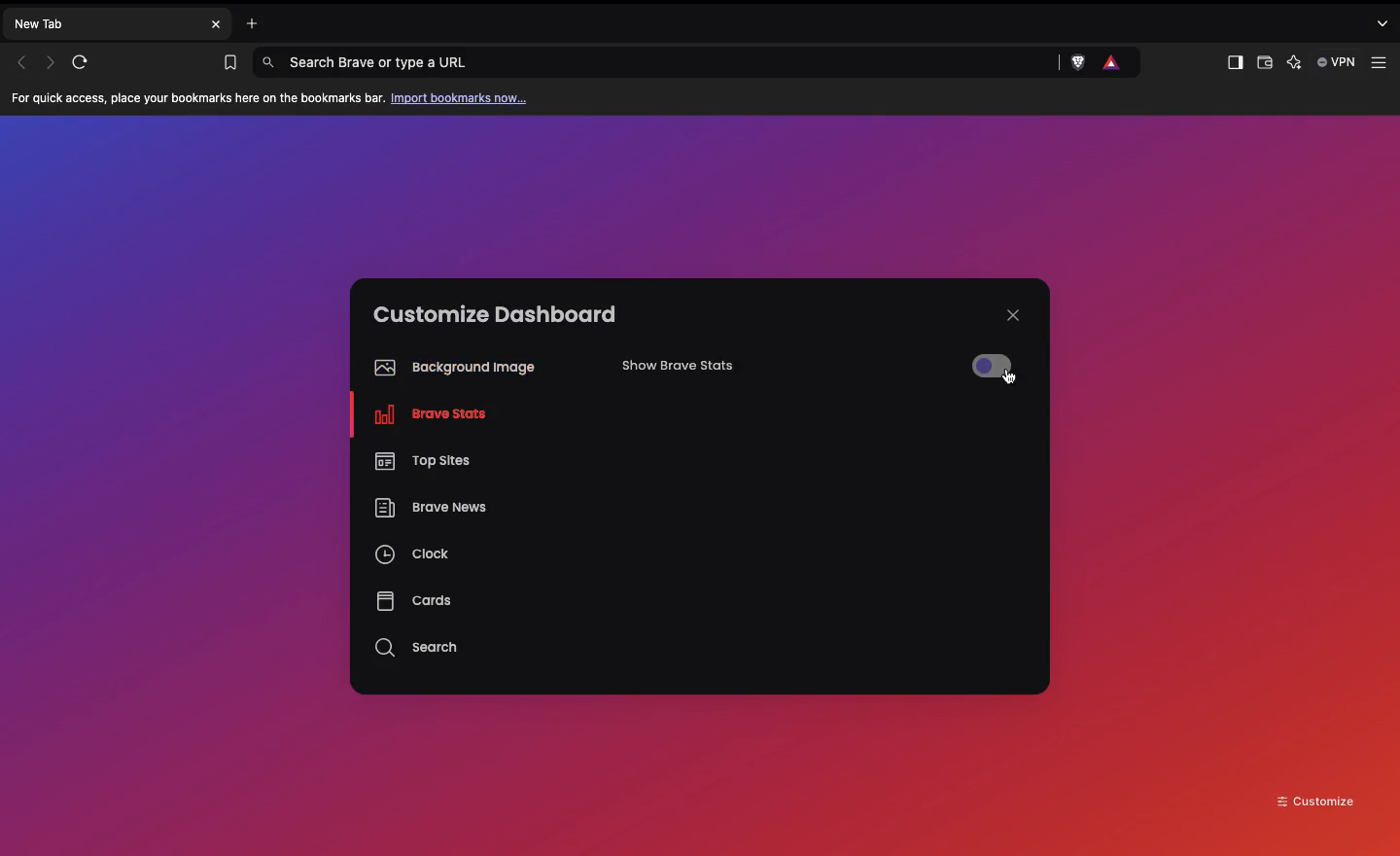  Describe the element at coordinates (655, 60) in the screenshot. I see `Search Brave or type a URL` at that location.